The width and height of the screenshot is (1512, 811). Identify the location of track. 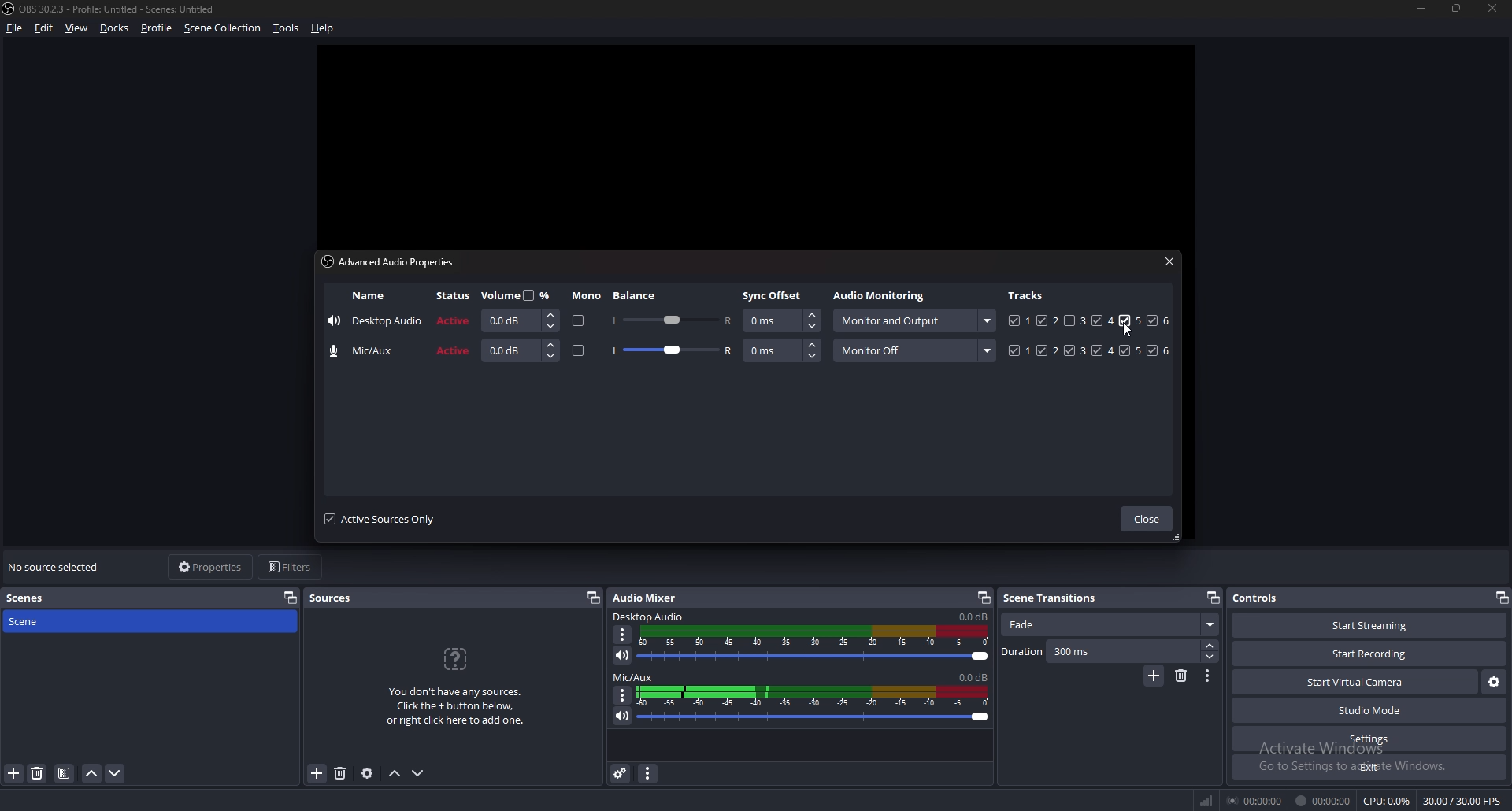
(1069, 320).